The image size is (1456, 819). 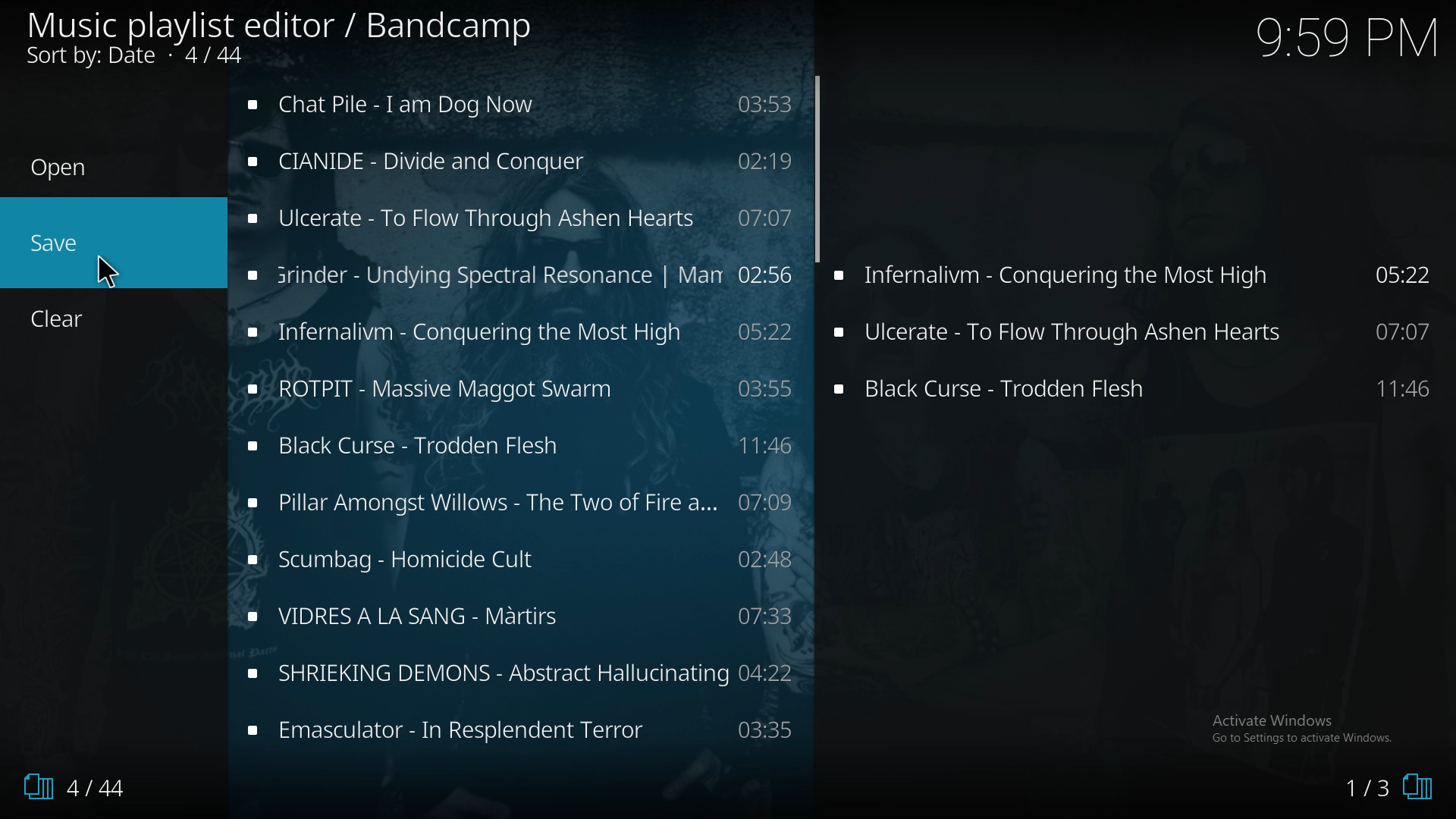 I want to click on music, so click(x=523, y=616).